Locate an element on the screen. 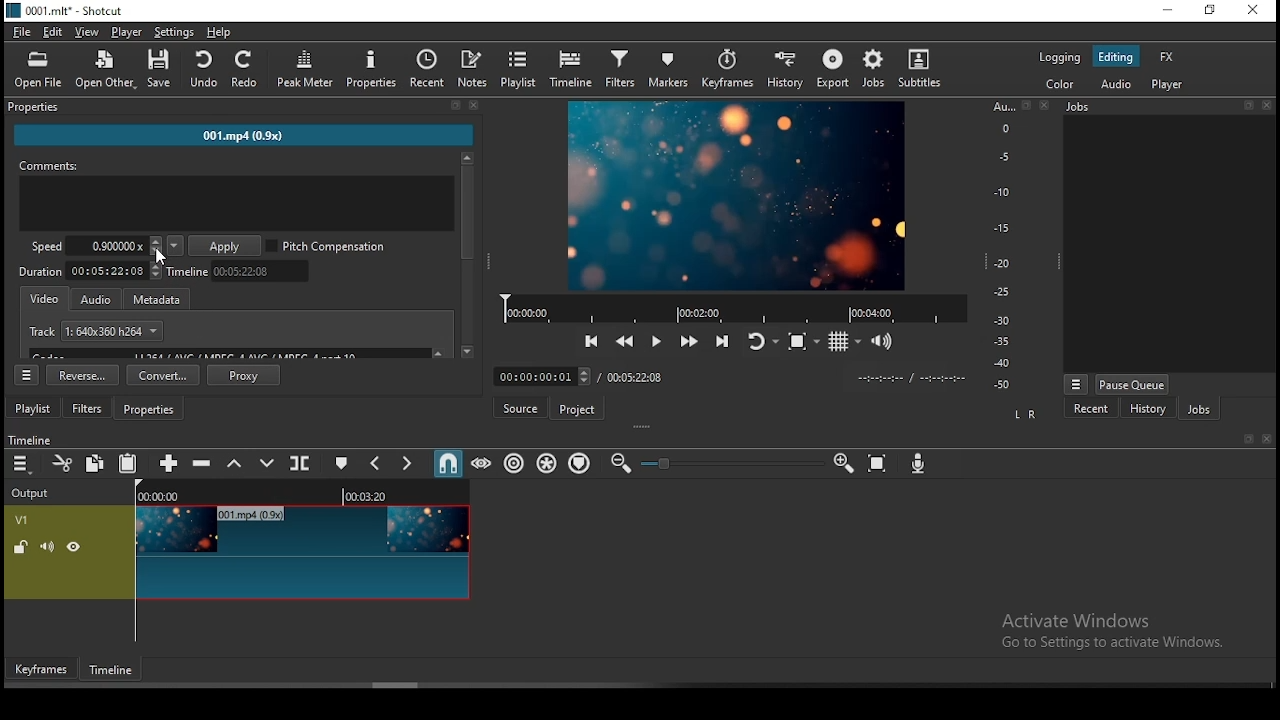 The width and height of the screenshot is (1280, 720). restore is located at coordinates (1213, 10).